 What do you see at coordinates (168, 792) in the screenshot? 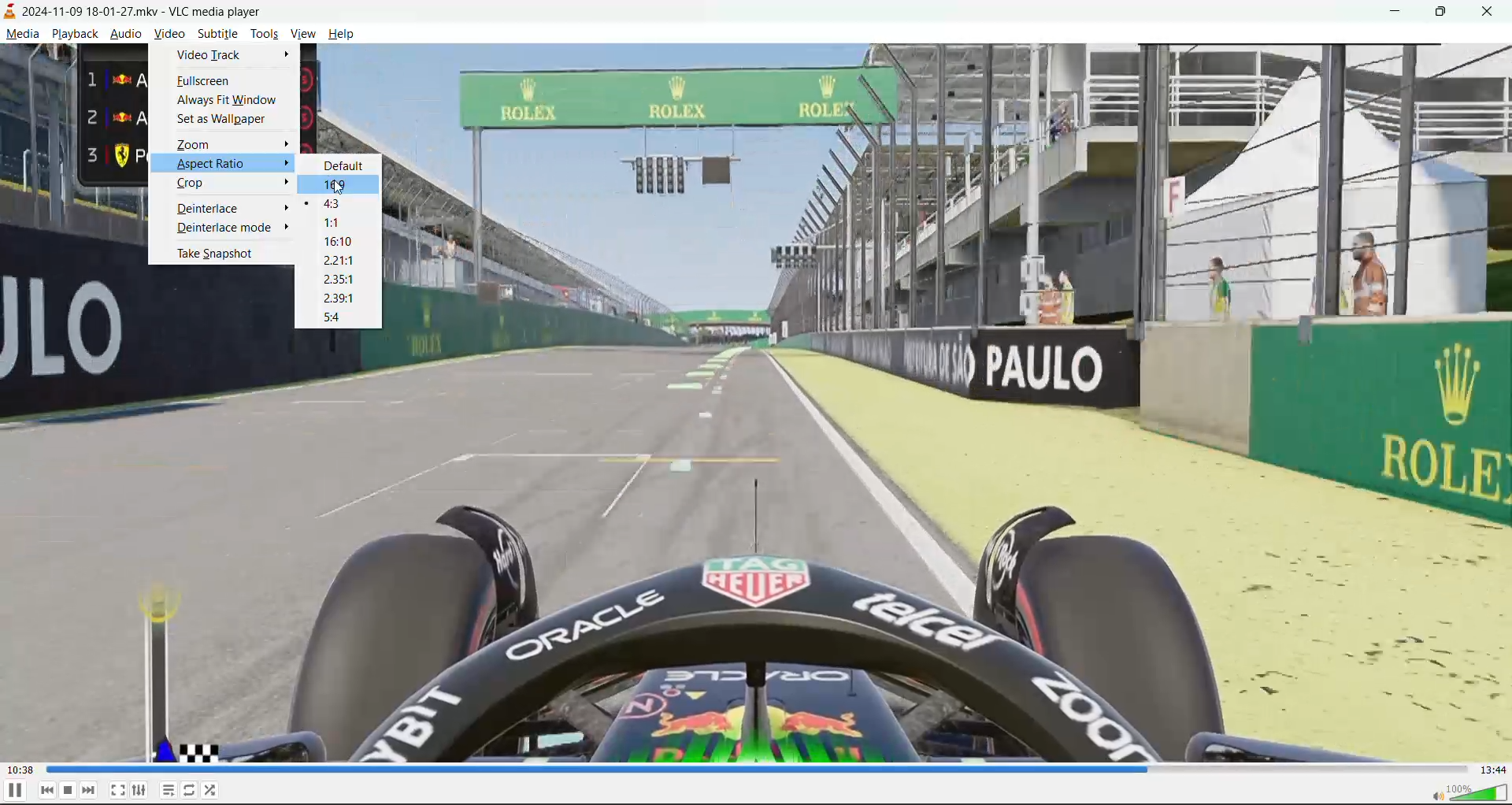
I see `toggle playlist` at bounding box center [168, 792].